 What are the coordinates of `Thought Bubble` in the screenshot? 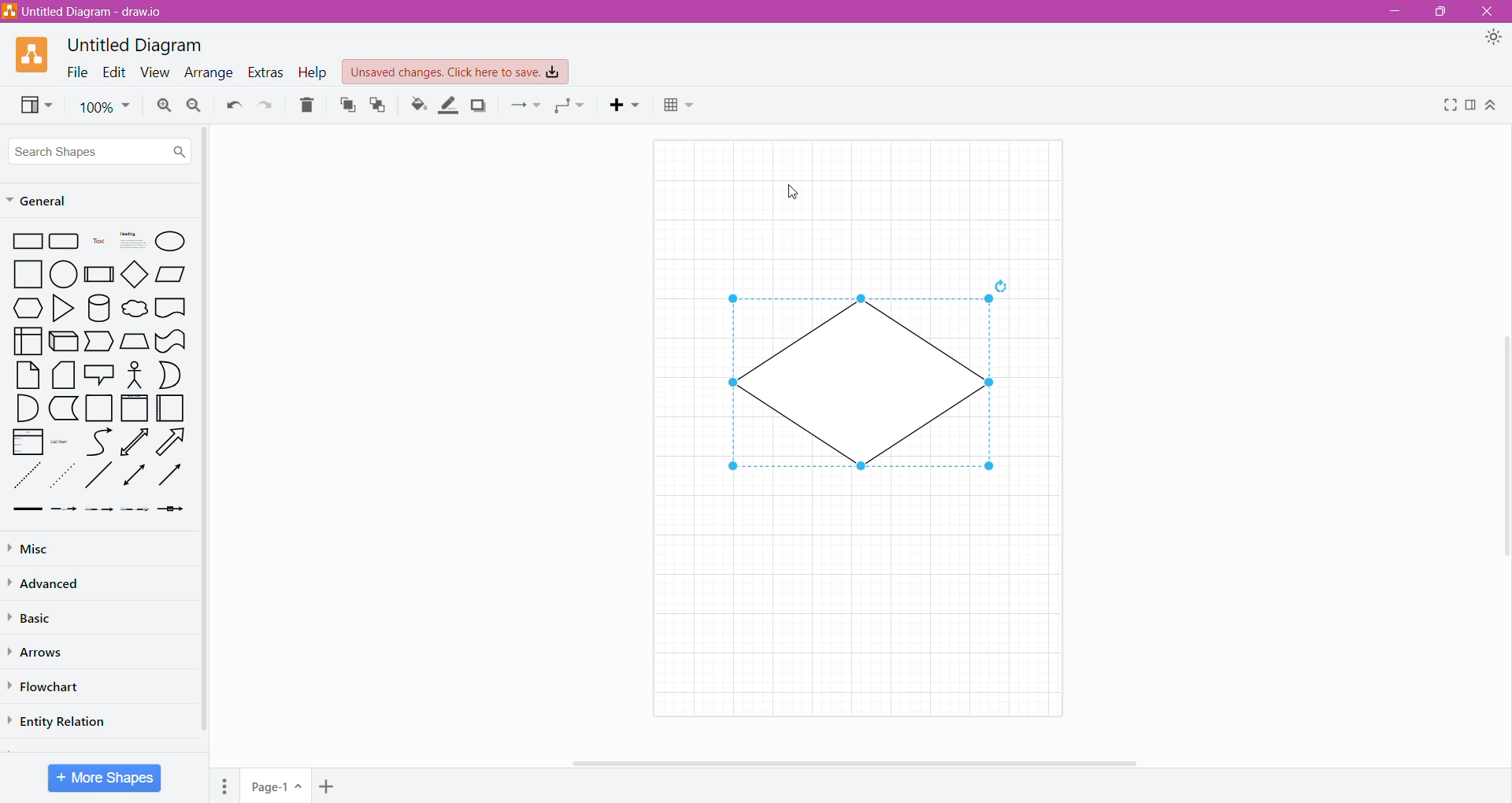 It's located at (134, 310).